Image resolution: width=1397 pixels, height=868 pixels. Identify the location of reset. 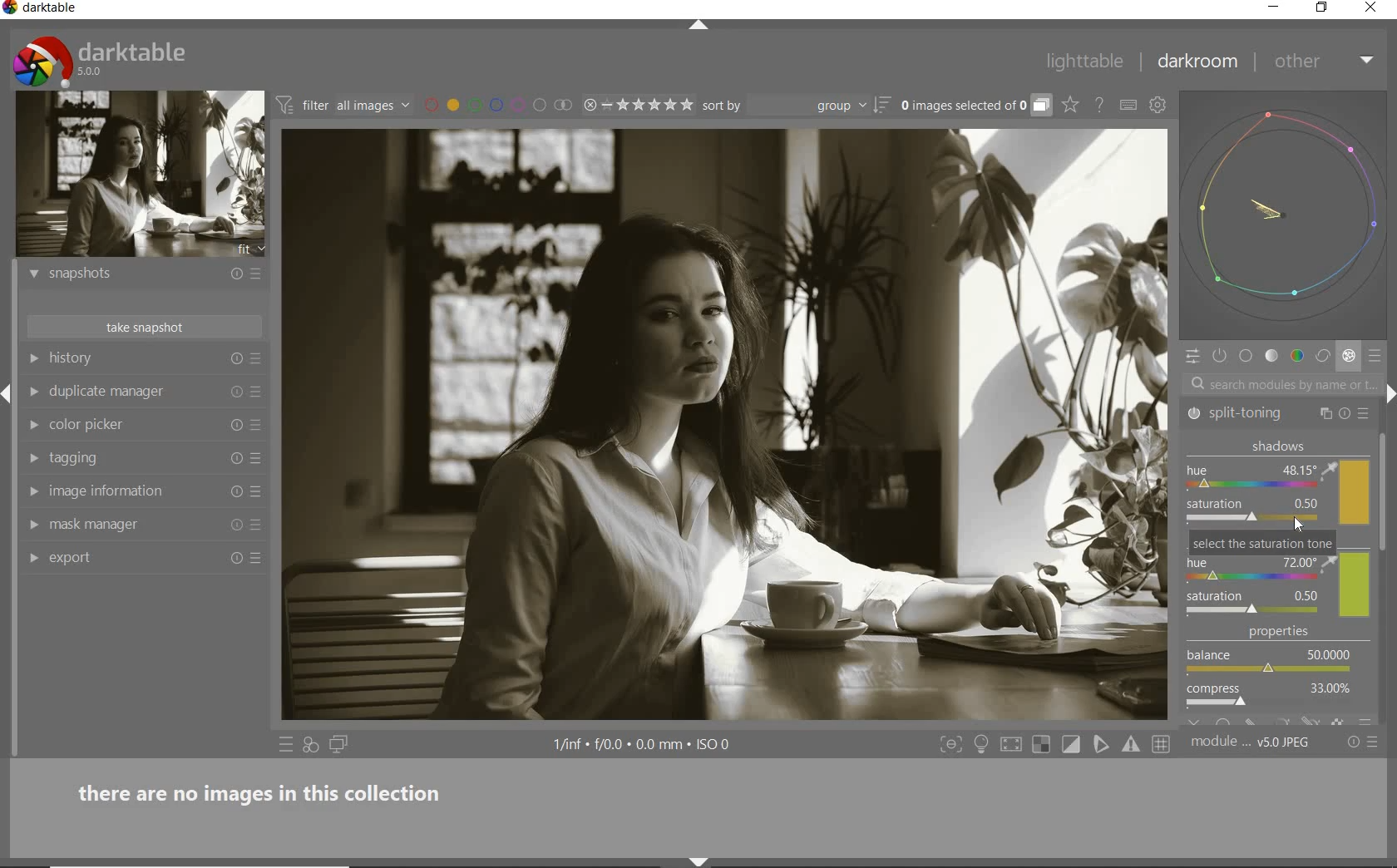
(234, 492).